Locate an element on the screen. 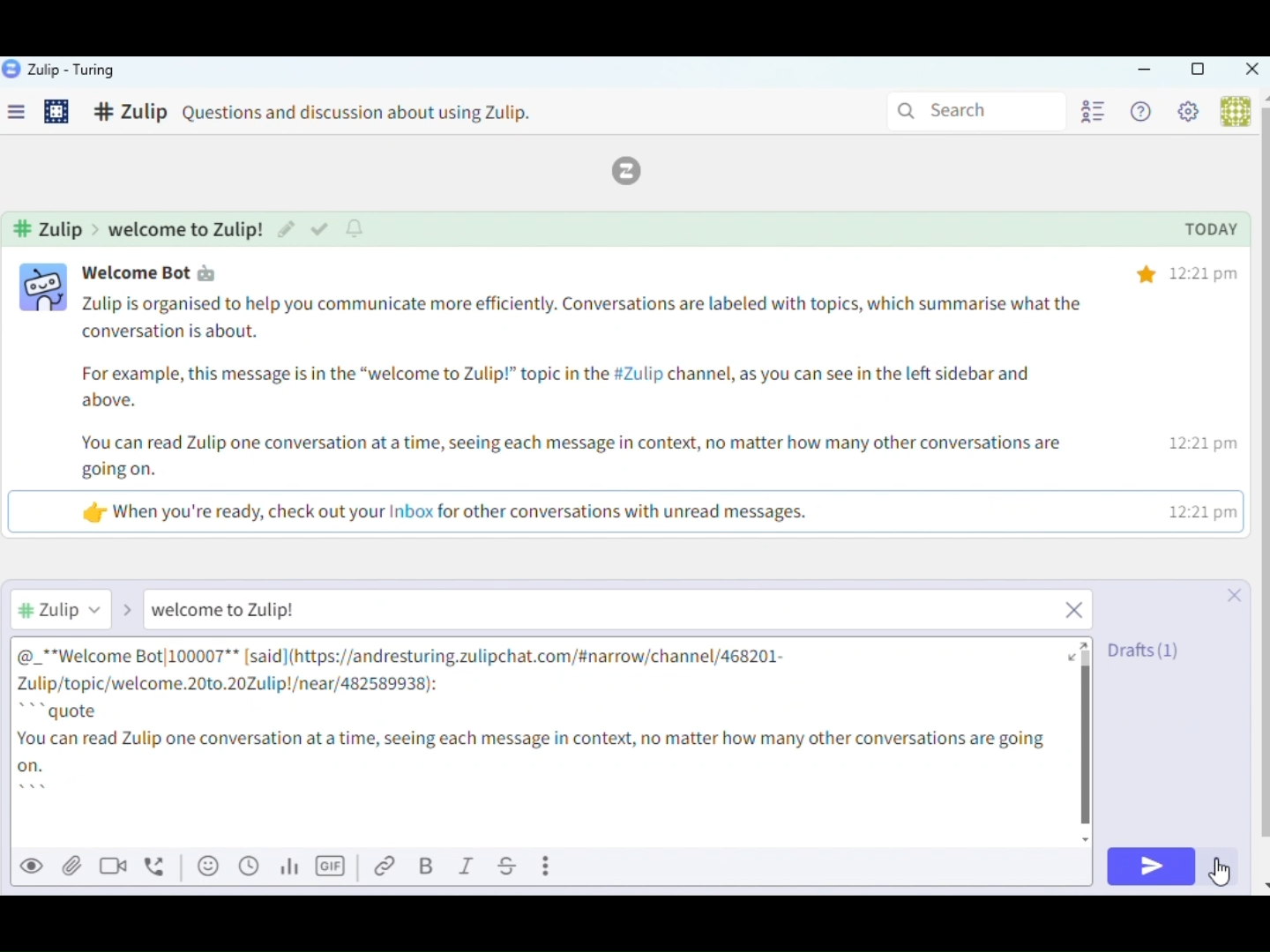 The height and width of the screenshot is (952, 1270). Down is located at coordinates (1091, 837).